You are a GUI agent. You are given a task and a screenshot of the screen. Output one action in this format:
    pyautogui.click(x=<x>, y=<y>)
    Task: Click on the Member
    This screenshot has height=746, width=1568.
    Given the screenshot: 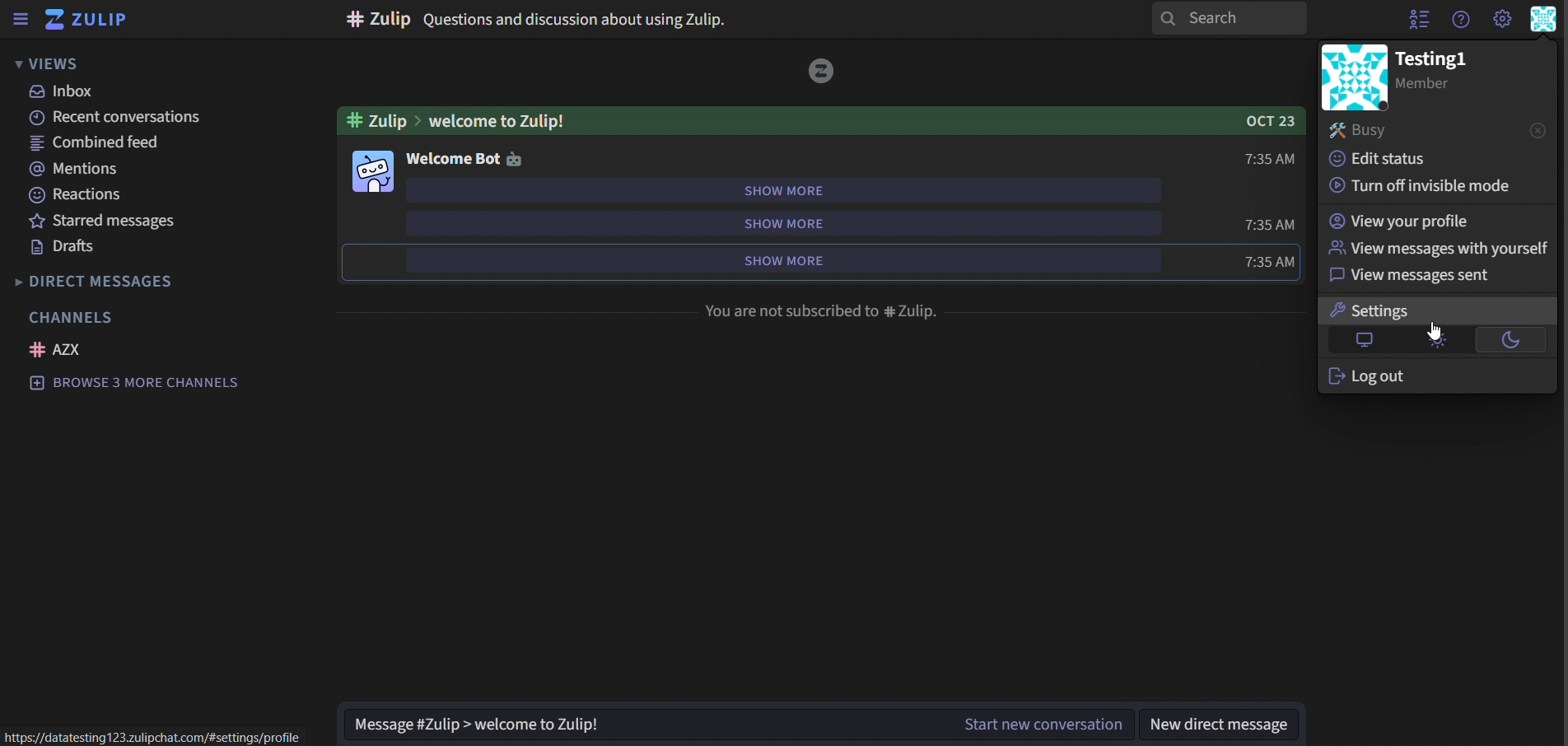 What is the action you would take?
    pyautogui.click(x=1446, y=86)
    